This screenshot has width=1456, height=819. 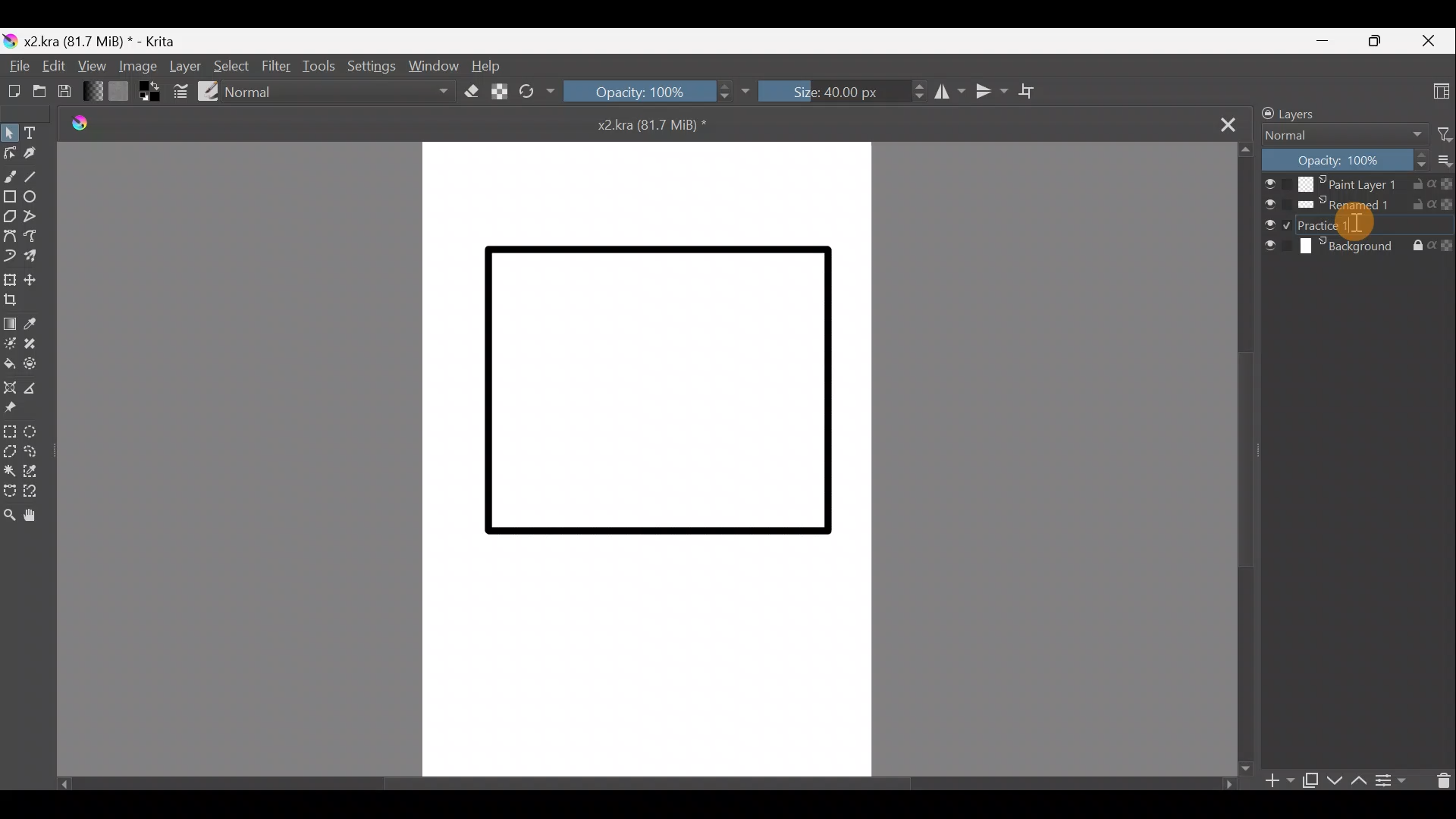 I want to click on Help, so click(x=488, y=63).